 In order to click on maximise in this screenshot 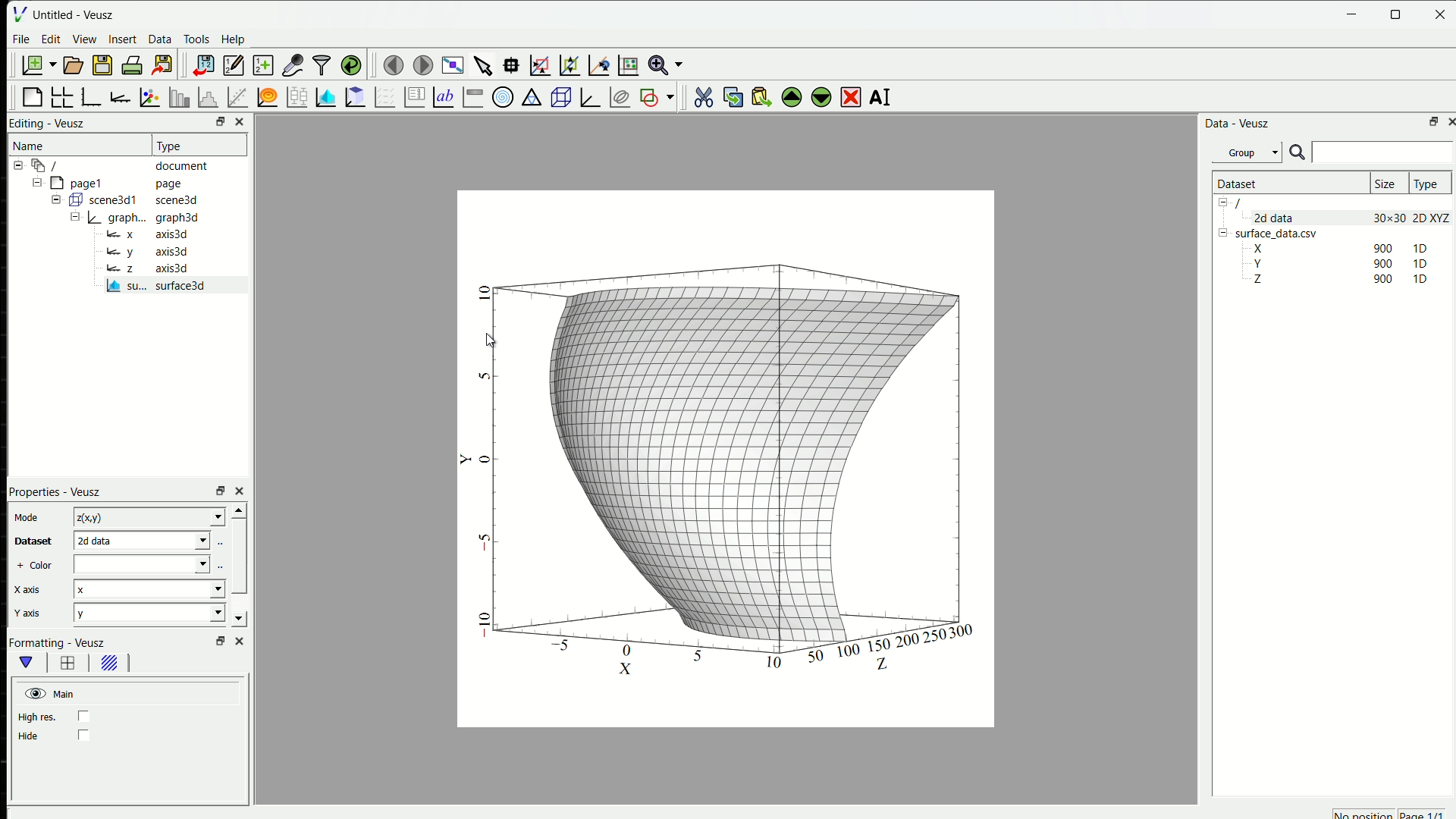, I will do `click(1396, 14)`.